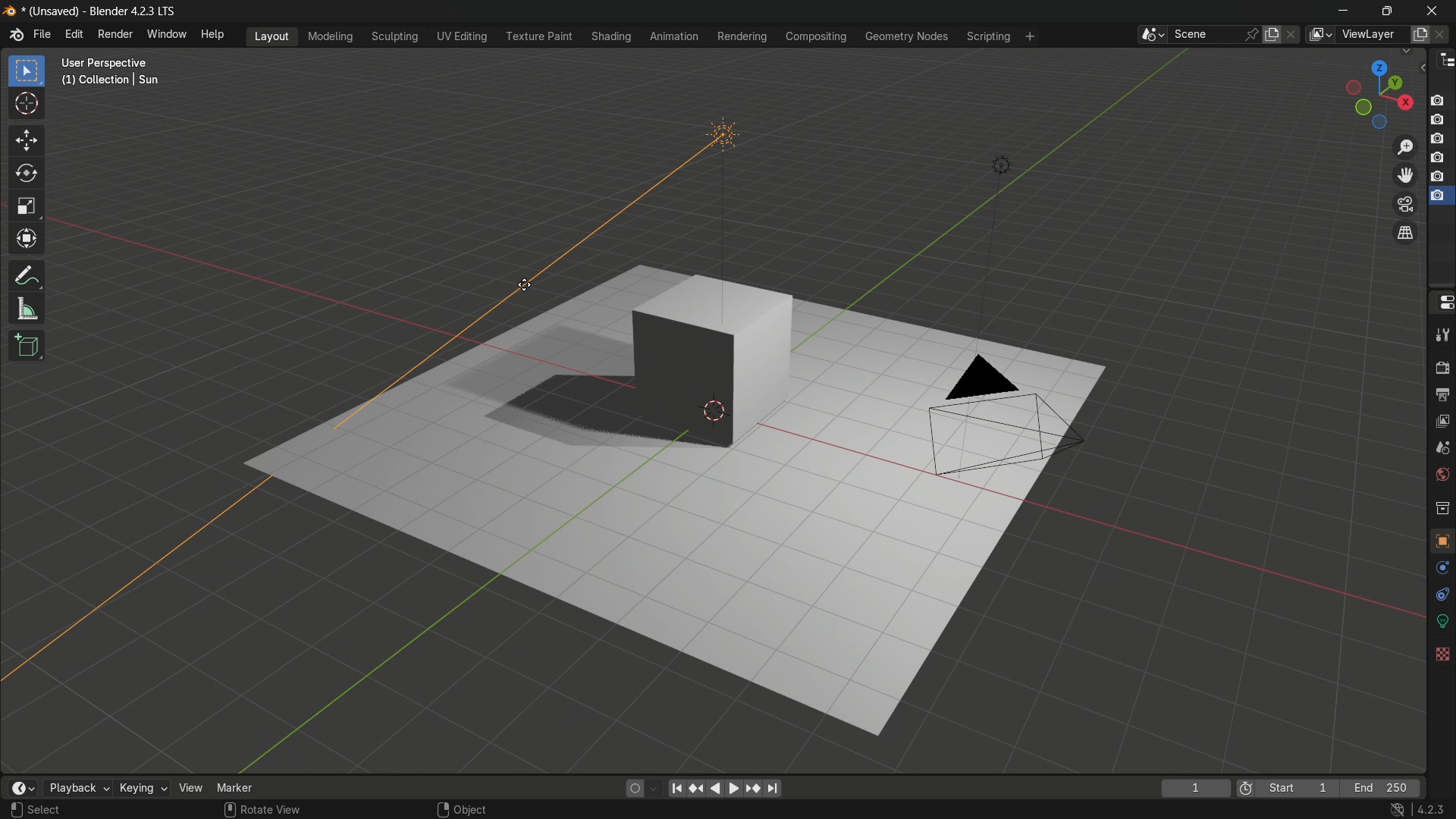 Image resolution: width=1456 pixels, height=819 pixels. What do you see at coordinates (1400, 810) in the screenshot?
I see `no internet icon` at bounding box center [1400, 810].